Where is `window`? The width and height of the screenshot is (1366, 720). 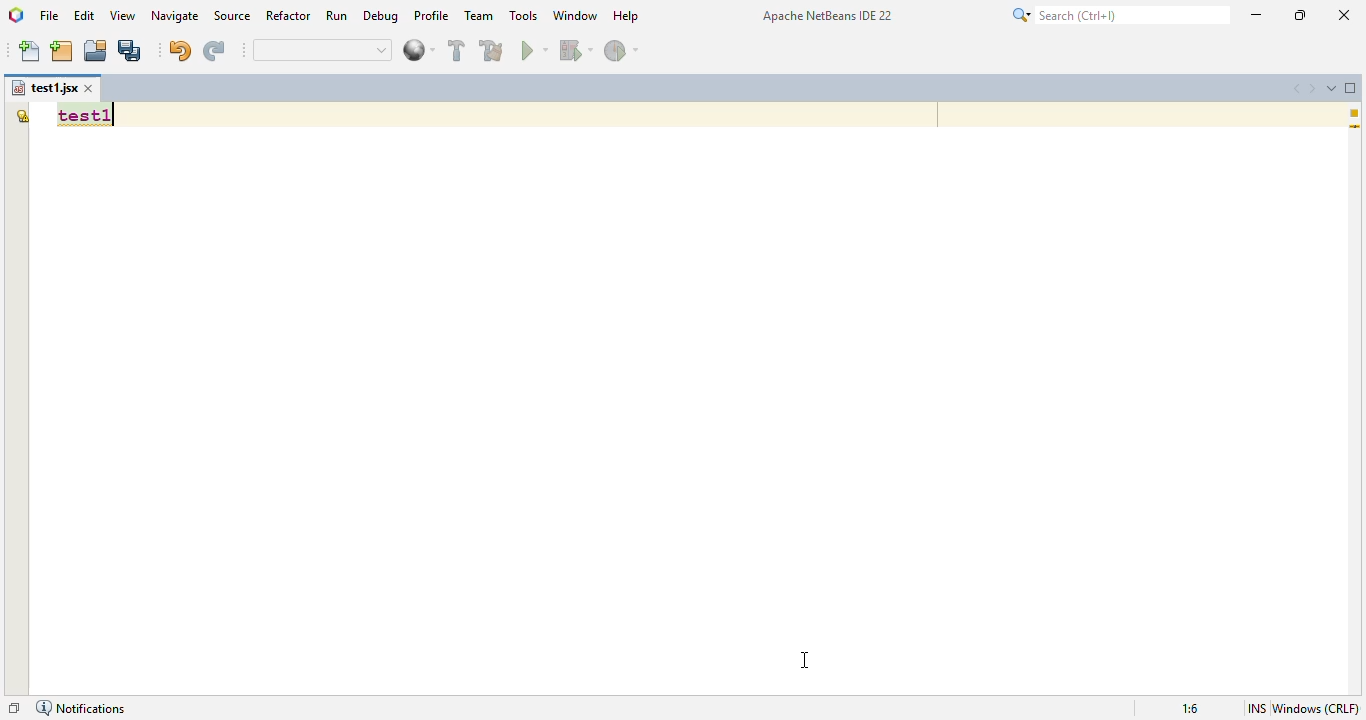
window is located at coordinates (576, 15).